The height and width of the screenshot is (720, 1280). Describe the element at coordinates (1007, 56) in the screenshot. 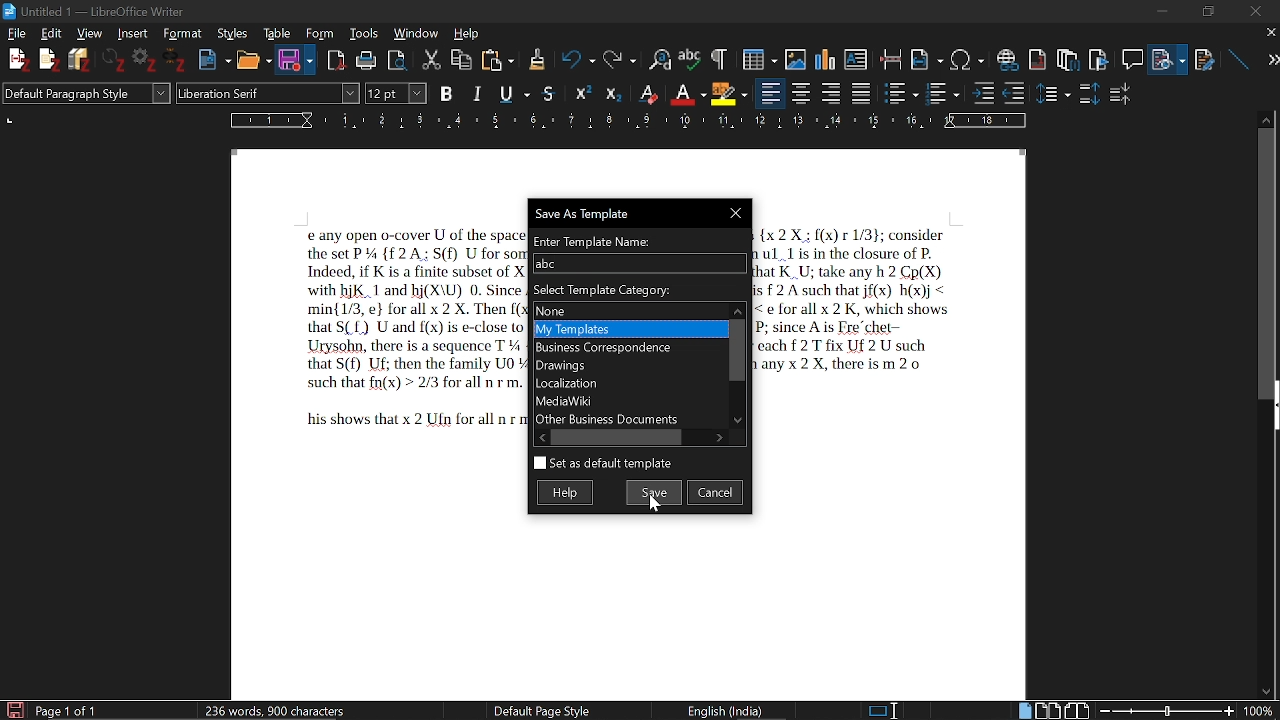

I see `Insert link` at that location.